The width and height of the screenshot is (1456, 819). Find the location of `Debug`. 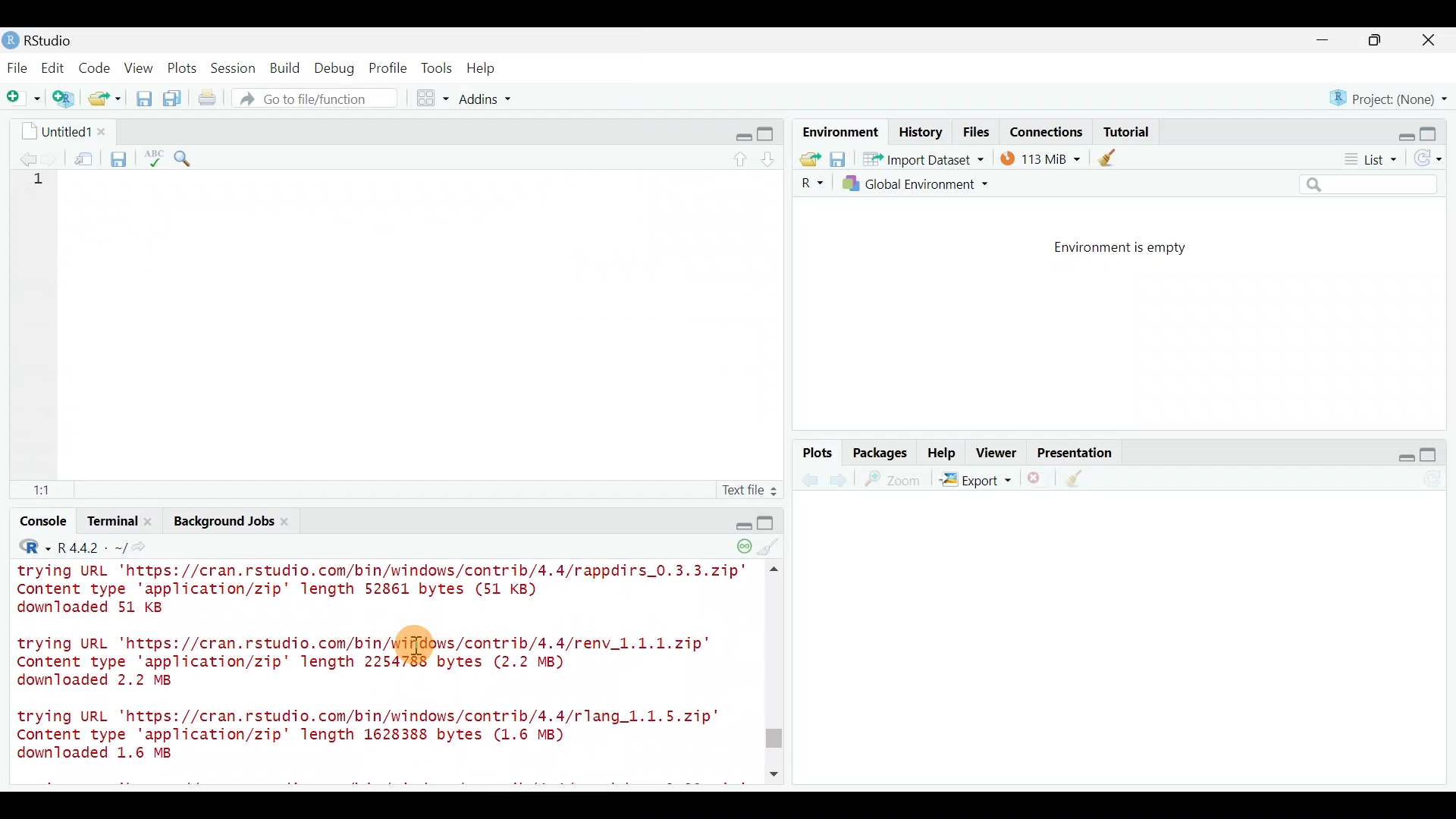

Debug is located at coordinates (333, 69).